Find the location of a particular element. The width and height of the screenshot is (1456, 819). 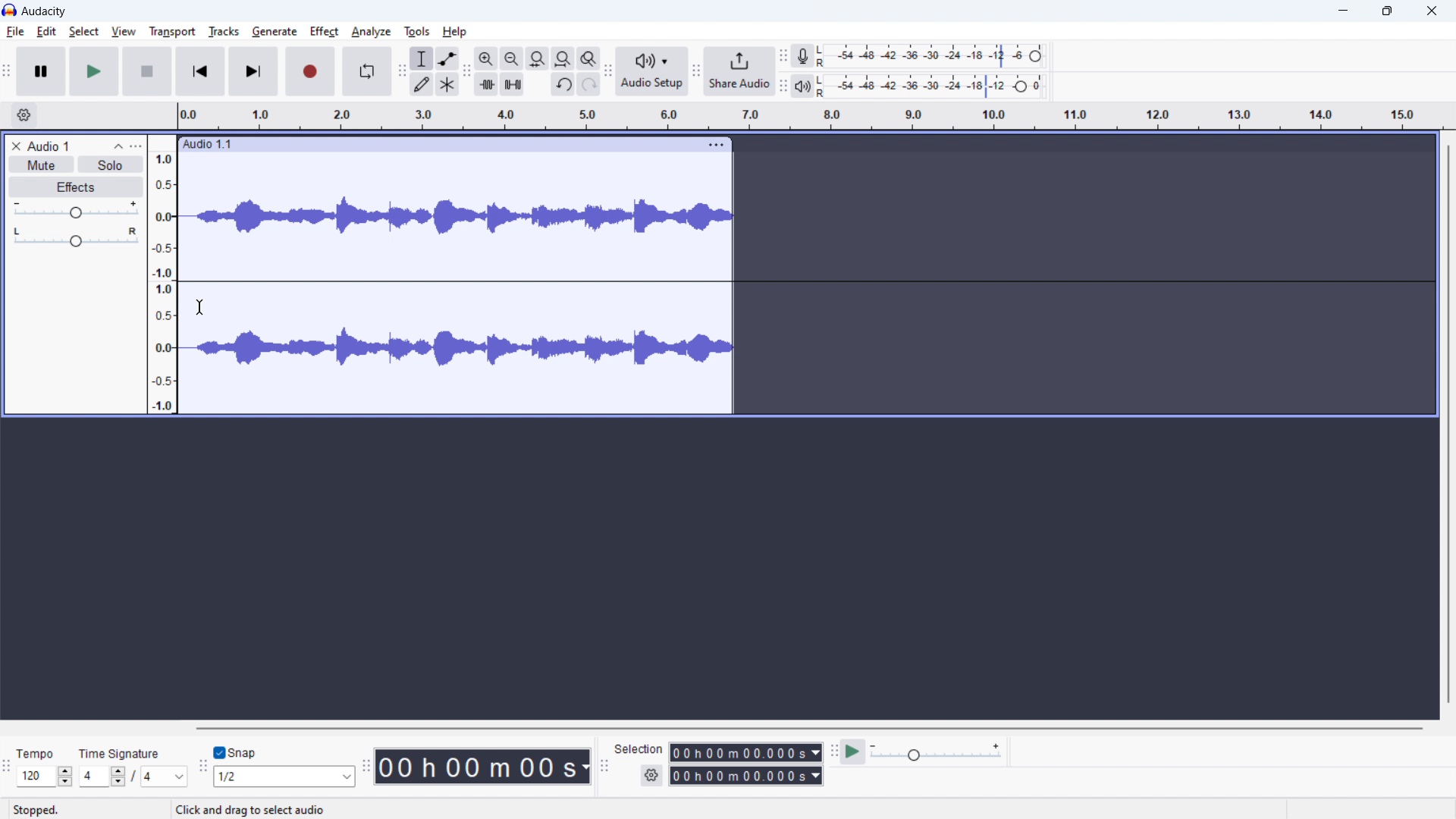

share audio toolbar is located at coordinates (696, 71).